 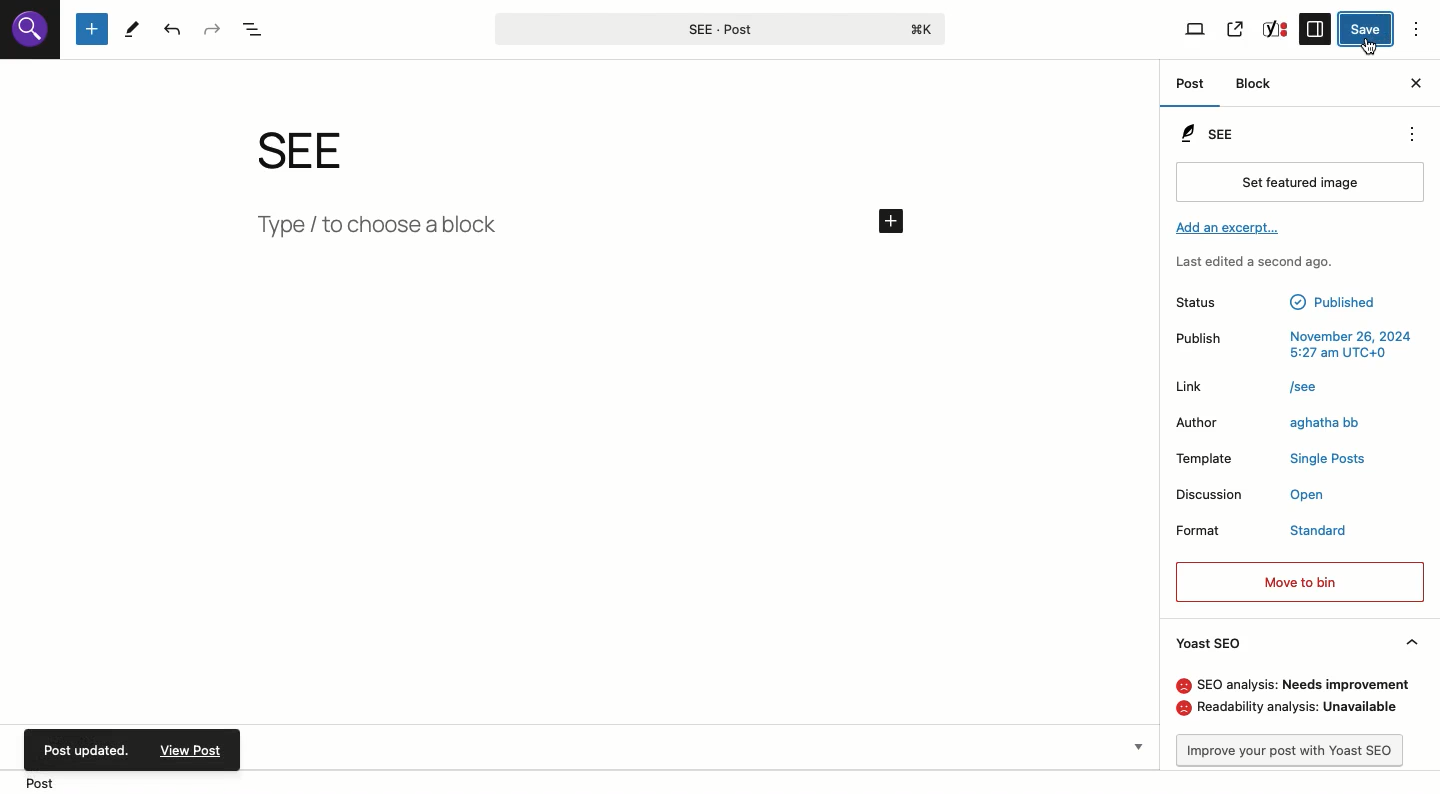 What do you see at coordinates (1282, 302) in the screenshot?
I see `Status` at bounding box center [1282, 302].